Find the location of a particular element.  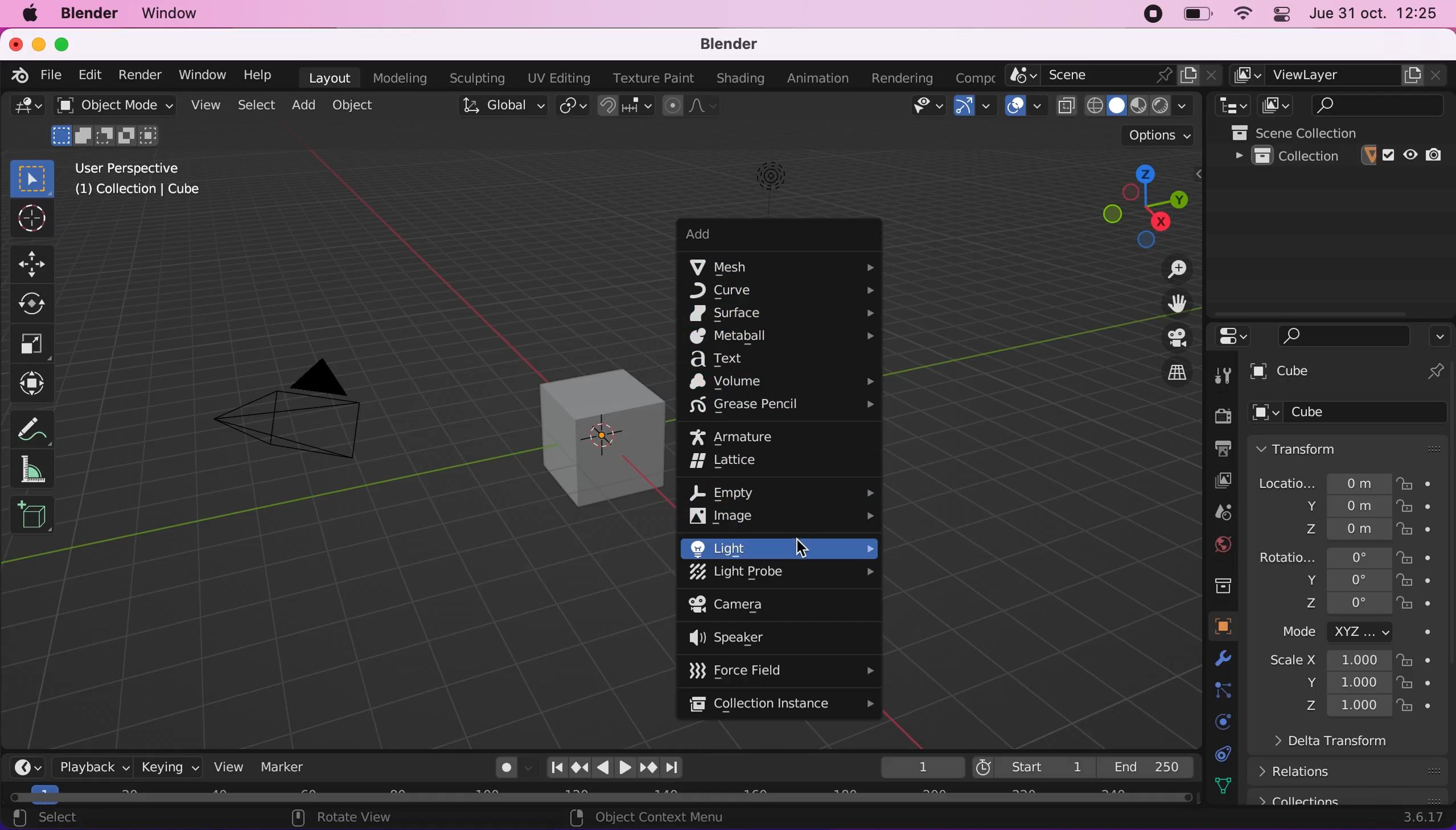

search is located at coordinates (1344, 335).